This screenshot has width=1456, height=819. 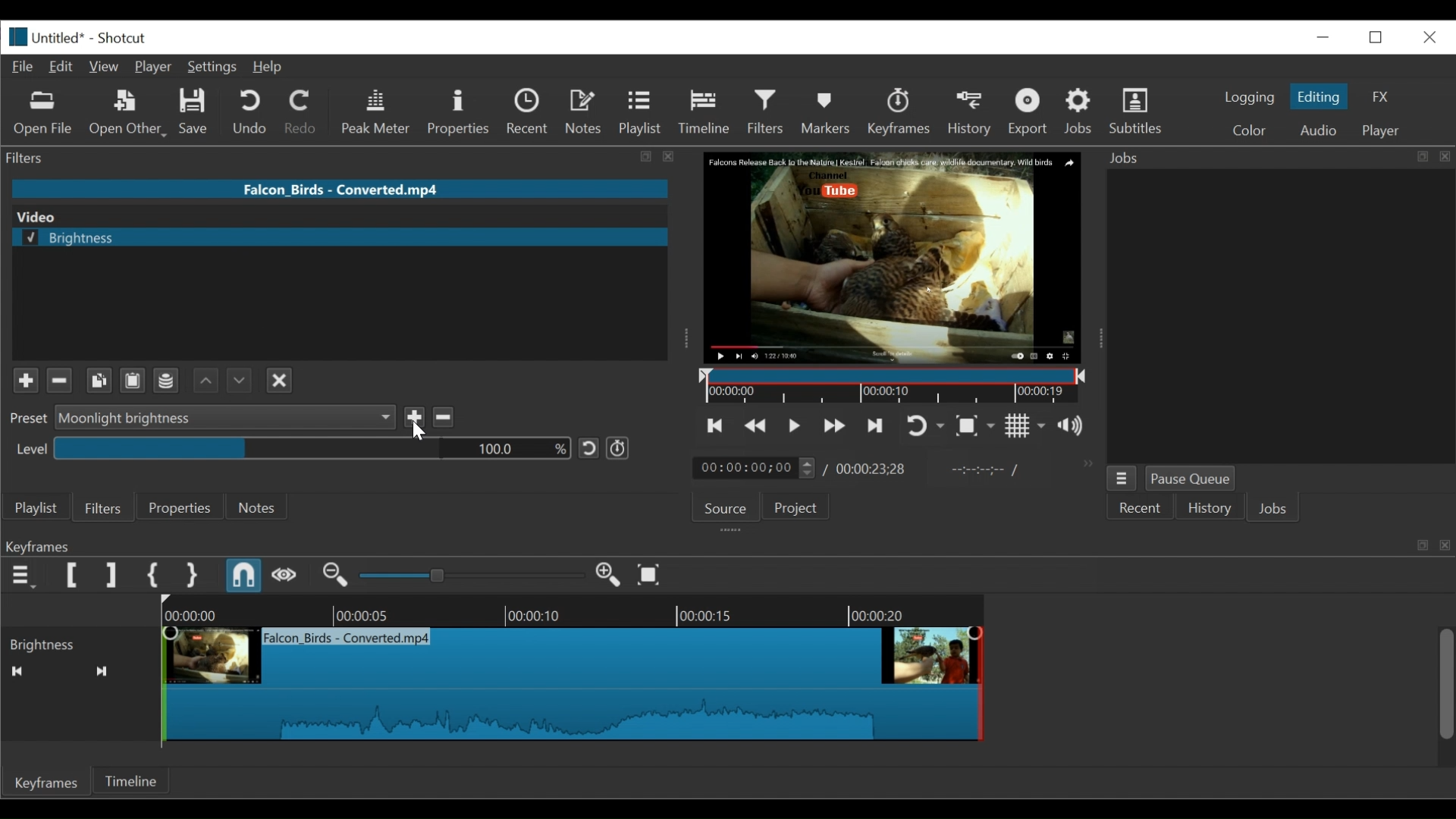 What do you see at coordinates (653, 573) in the screenshot?
I see `Zoom keyframe to fit` at bounding box center [653, 573].